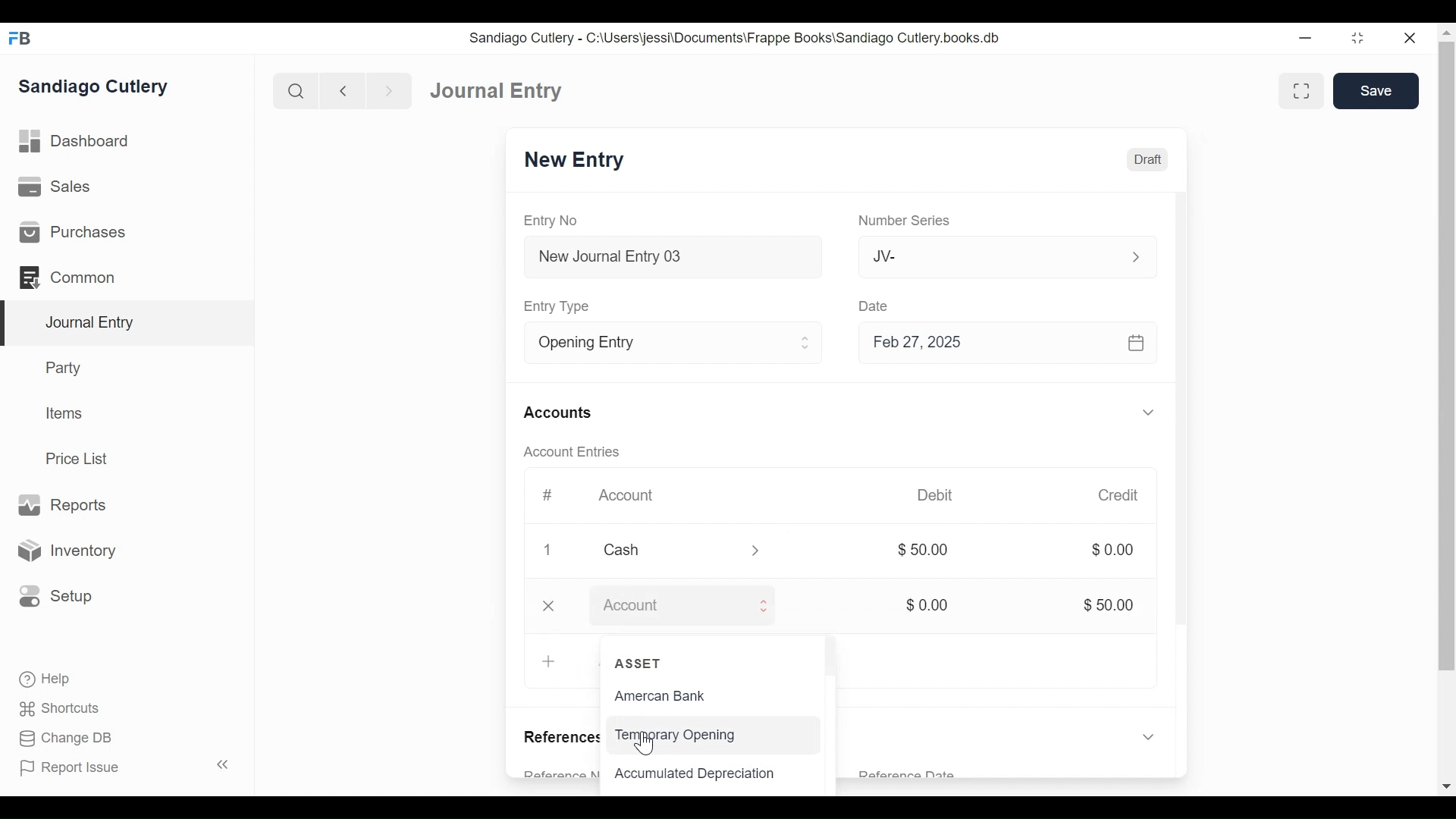  Describe the element at coordinates (1363, 37) in the screenshot. I see `Restore` at that location.